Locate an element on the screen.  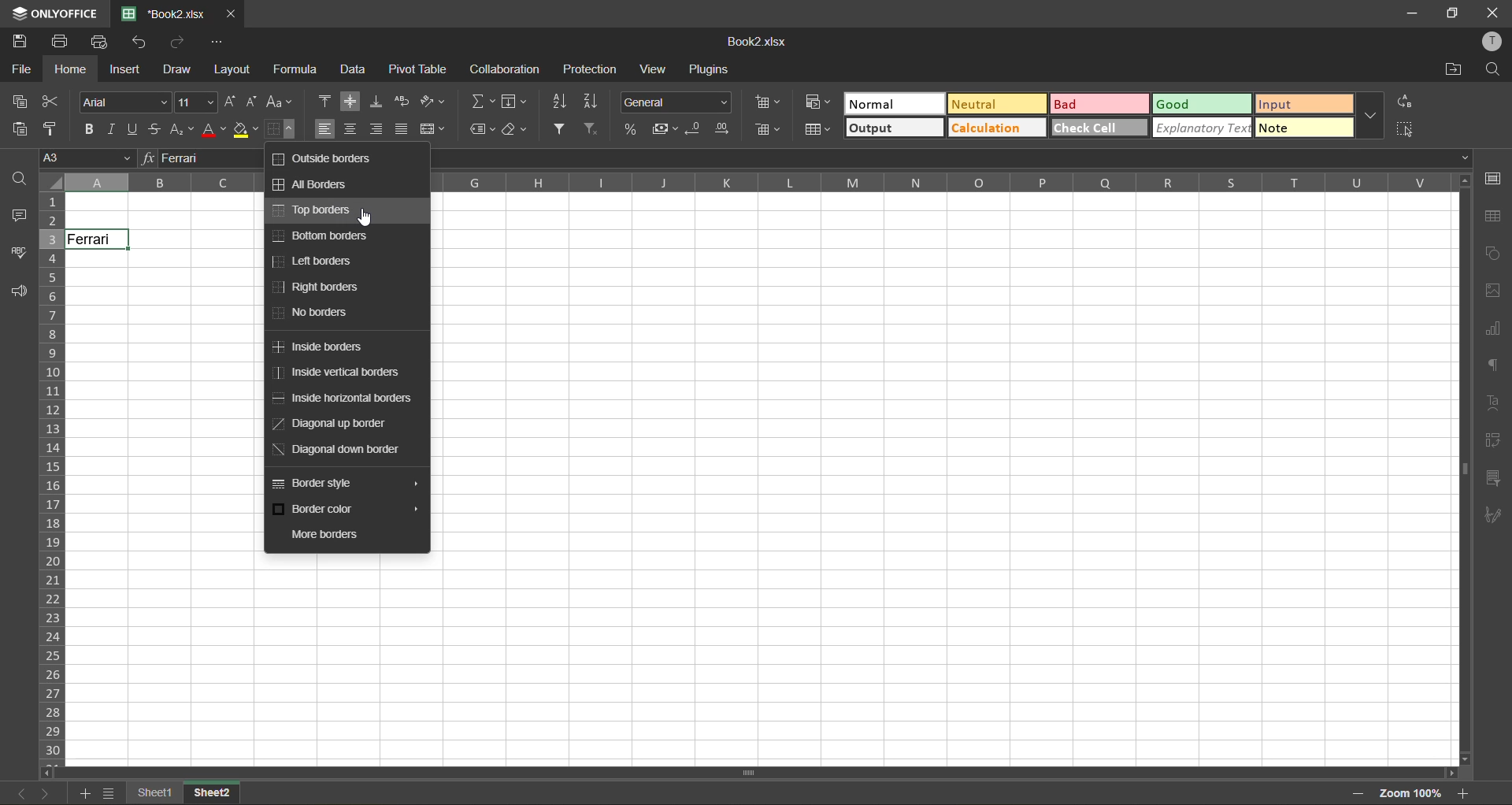
named ranges is located at coordinates (483, 130).